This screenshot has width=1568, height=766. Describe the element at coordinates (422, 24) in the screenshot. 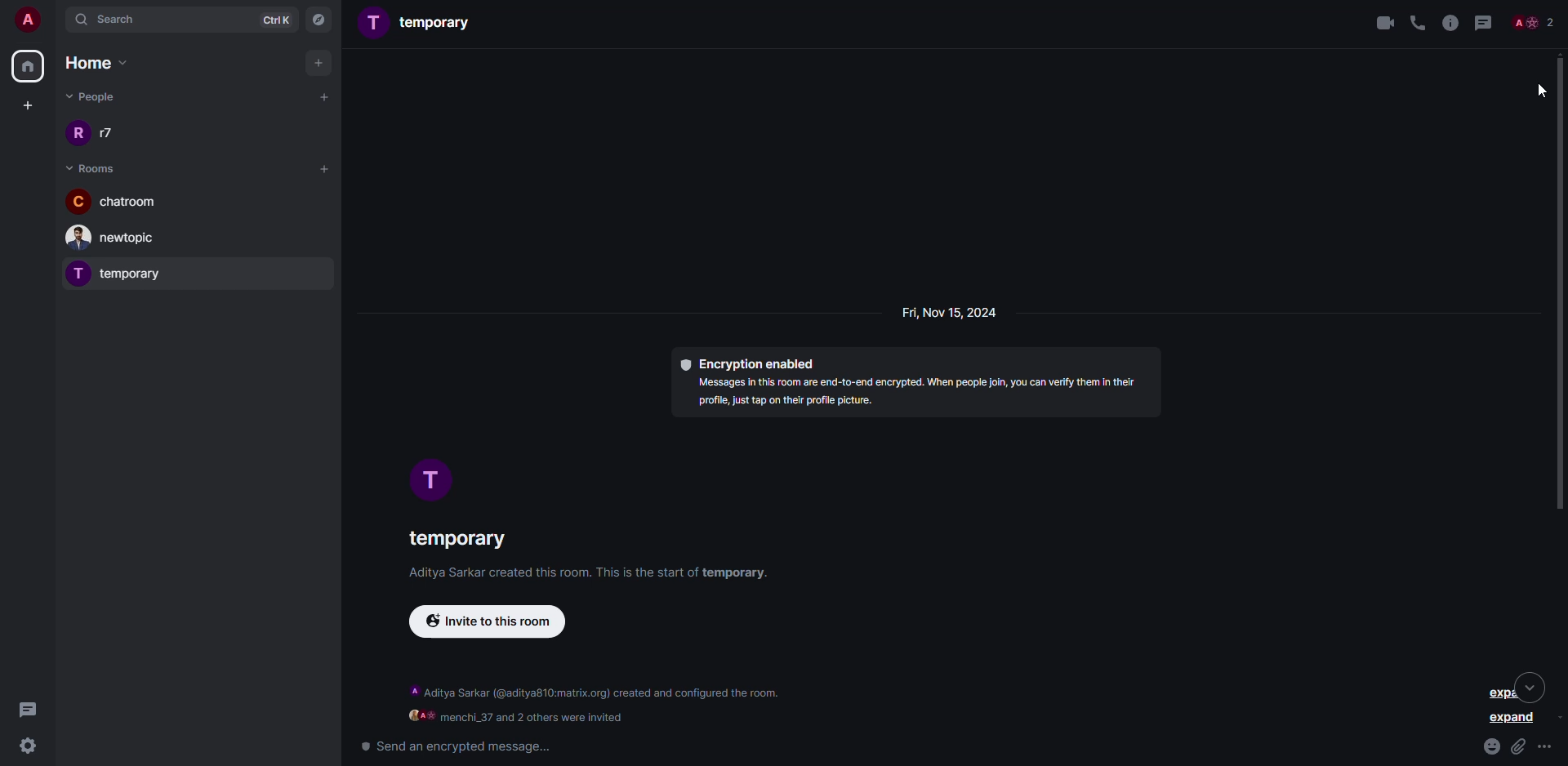

I see `temporary` at that location.